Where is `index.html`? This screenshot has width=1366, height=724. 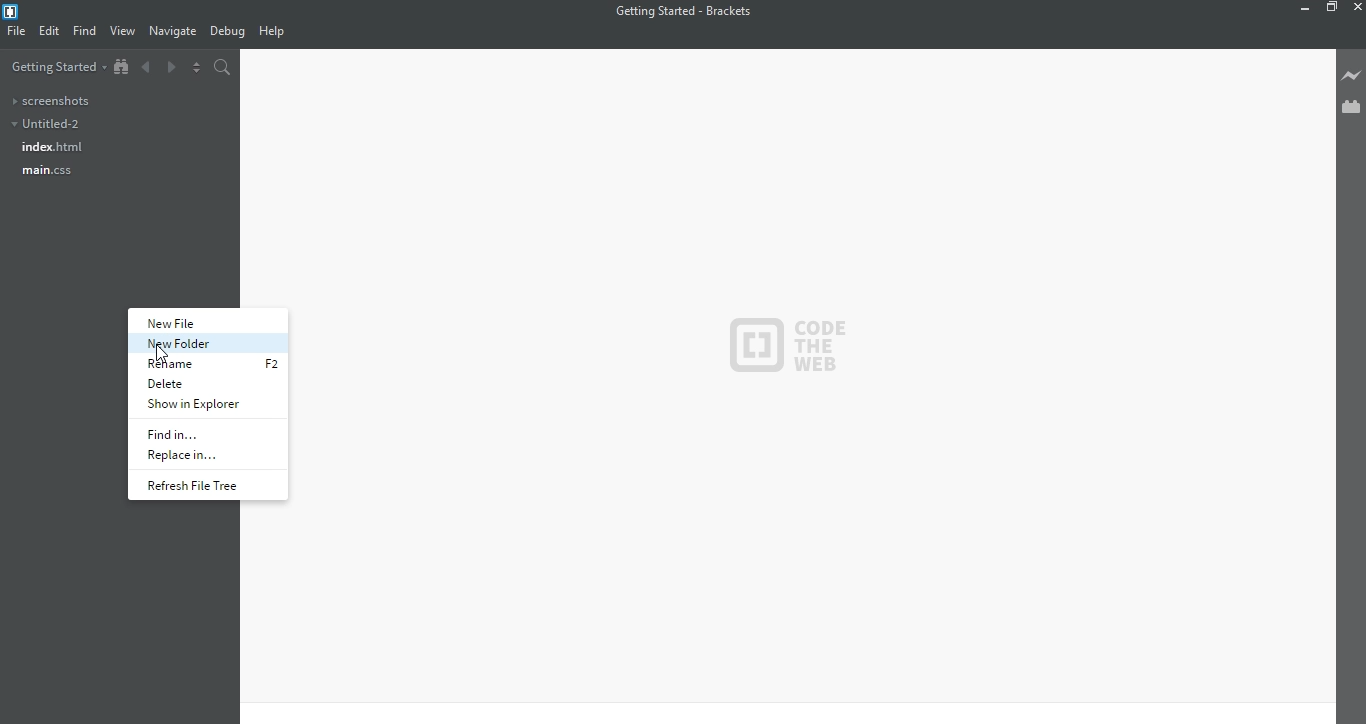 index.html is located at coordinates (59, 147).